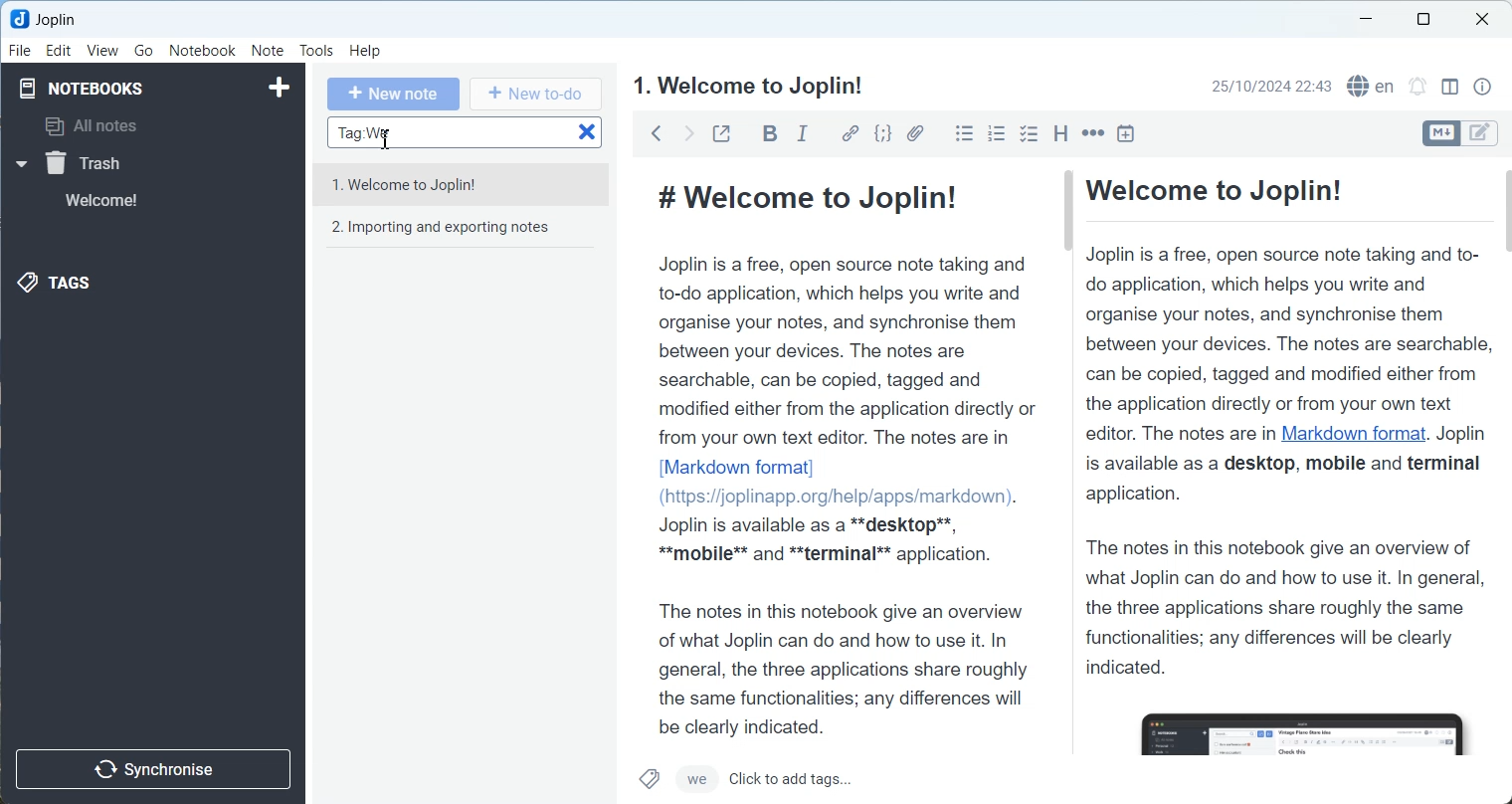 This screenshot has width=1512, height=804. I want to click on Note Properties, so click(1482, 86).